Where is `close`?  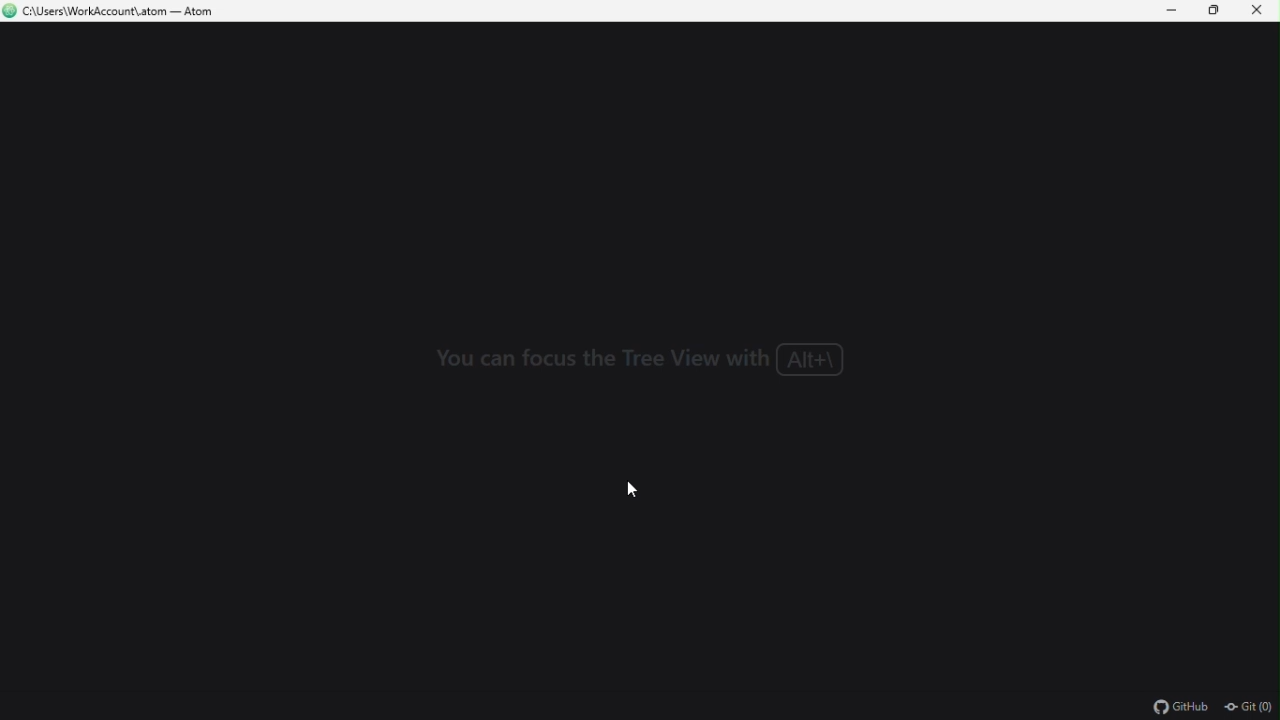
close is located at coordinates (1262, 11).